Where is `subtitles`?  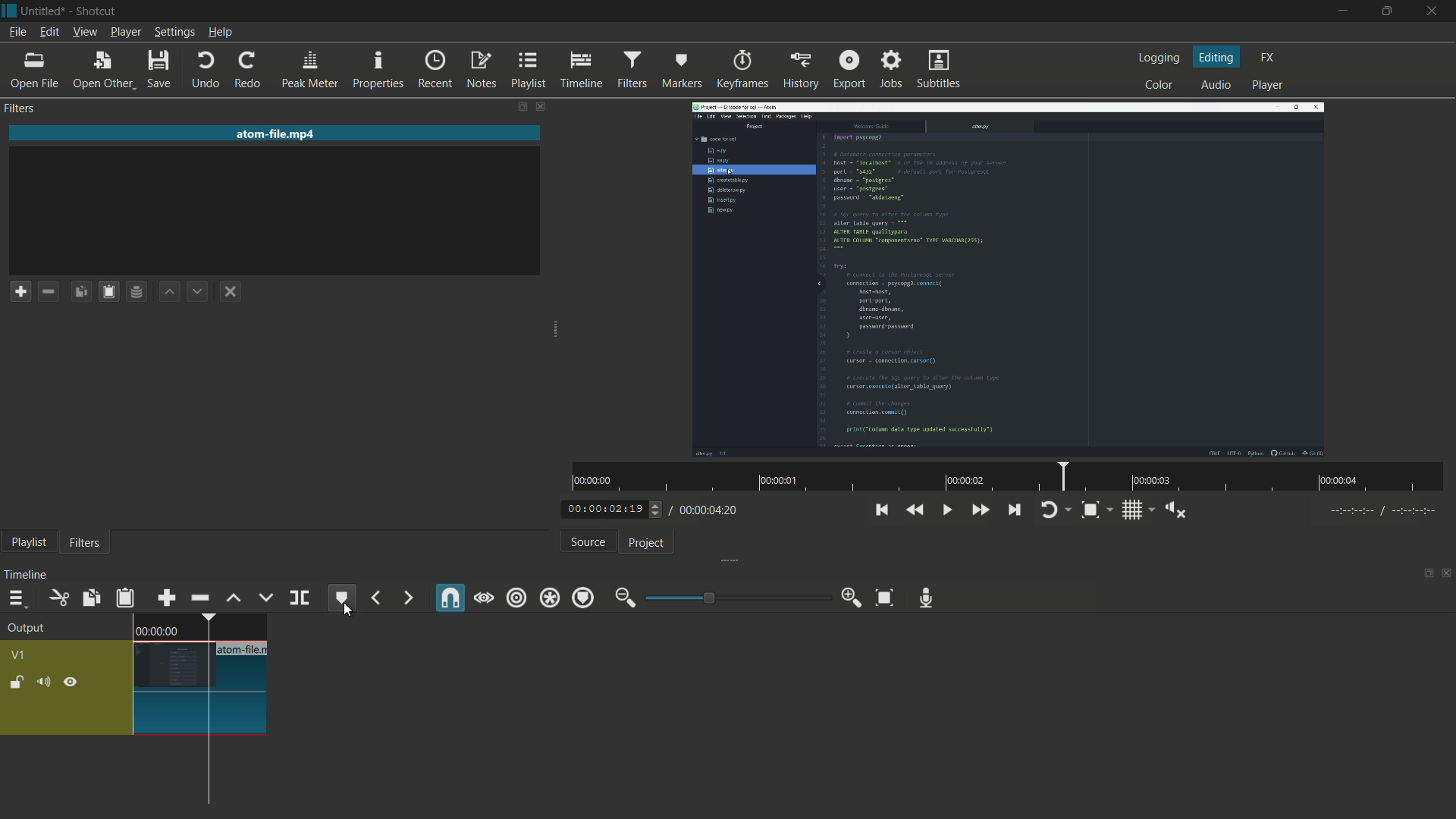
subtitles is located at coordinates (940, 71).